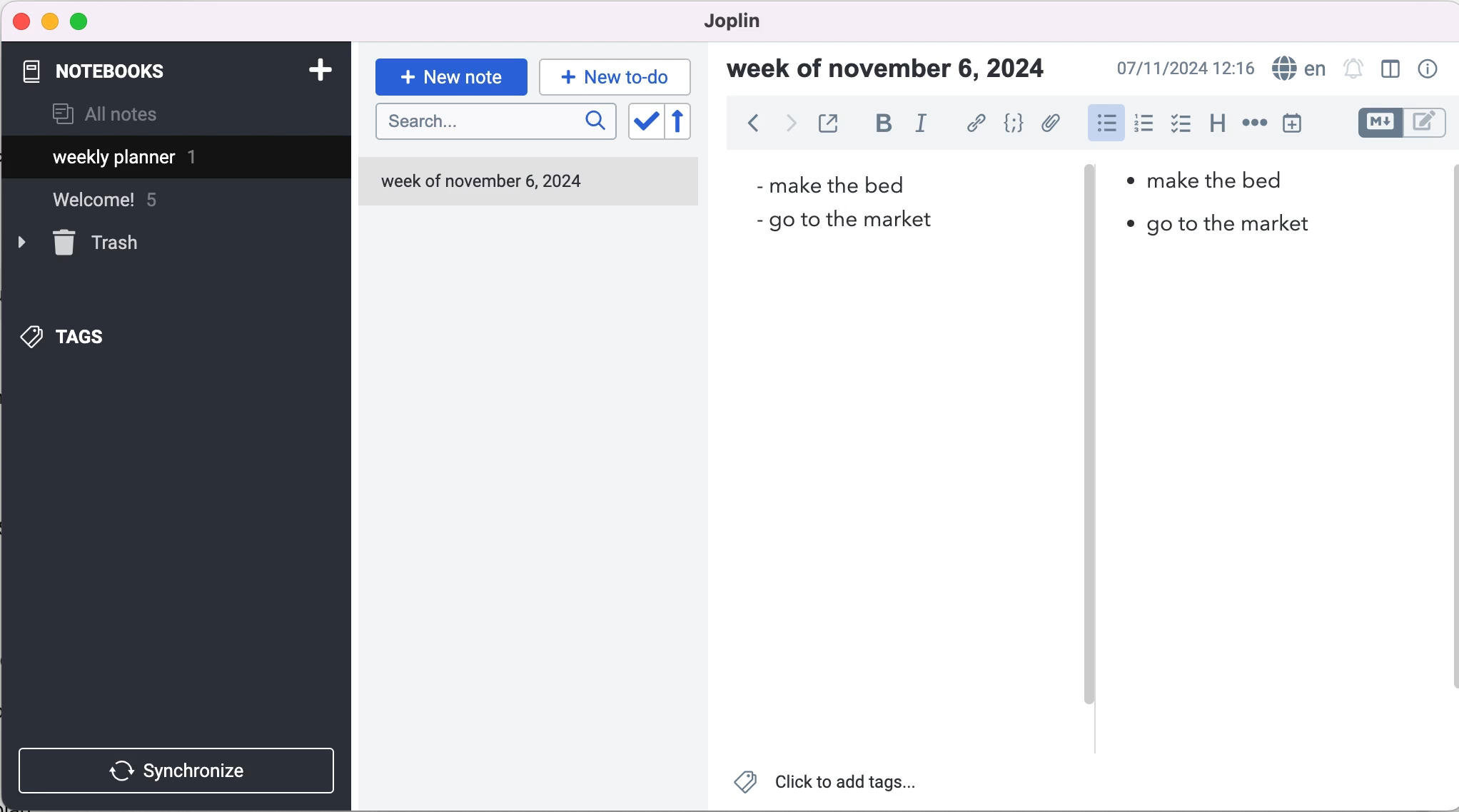 The width and height of the screenshot is (1459, 812). I want to click on add file, so click(1051, 126).